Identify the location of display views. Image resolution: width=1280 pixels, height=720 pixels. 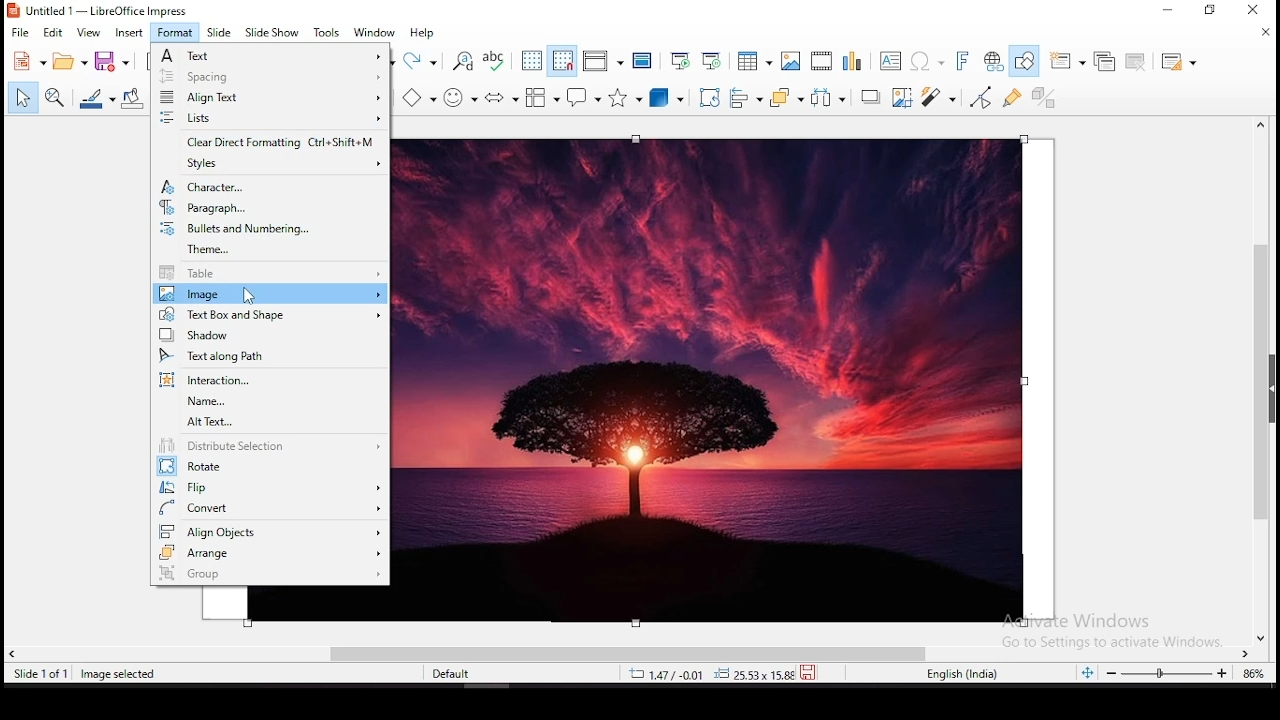
(604, 62).